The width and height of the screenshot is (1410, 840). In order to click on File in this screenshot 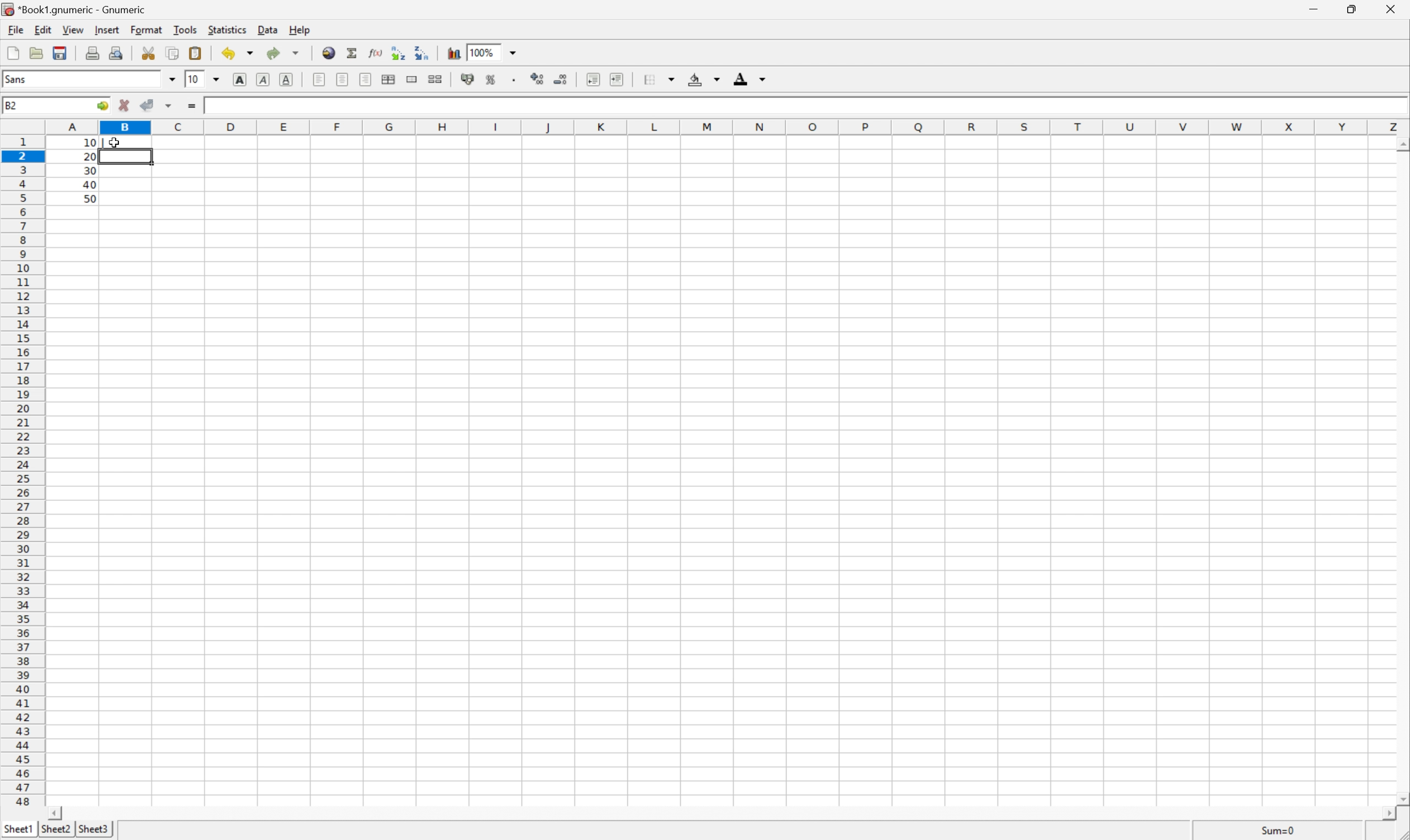, I will do `click(15, 30)`.